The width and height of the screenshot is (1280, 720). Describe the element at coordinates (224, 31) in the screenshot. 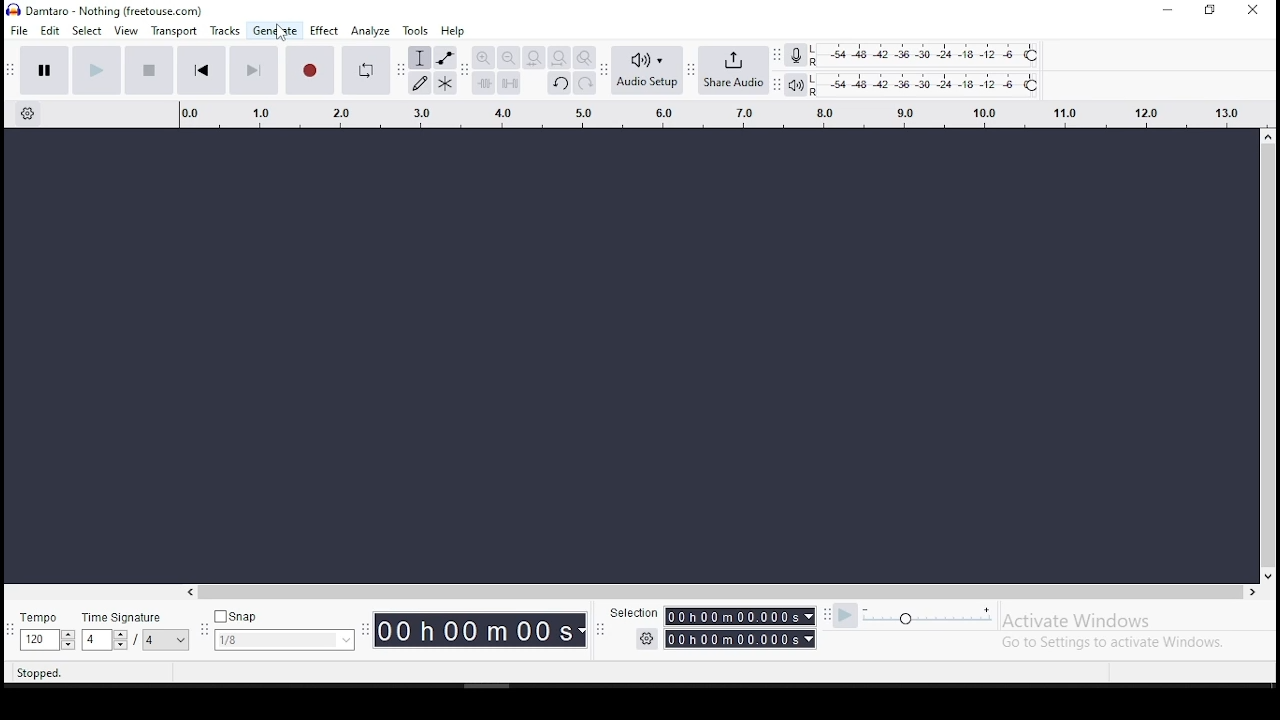

I see `tracks` at that location.